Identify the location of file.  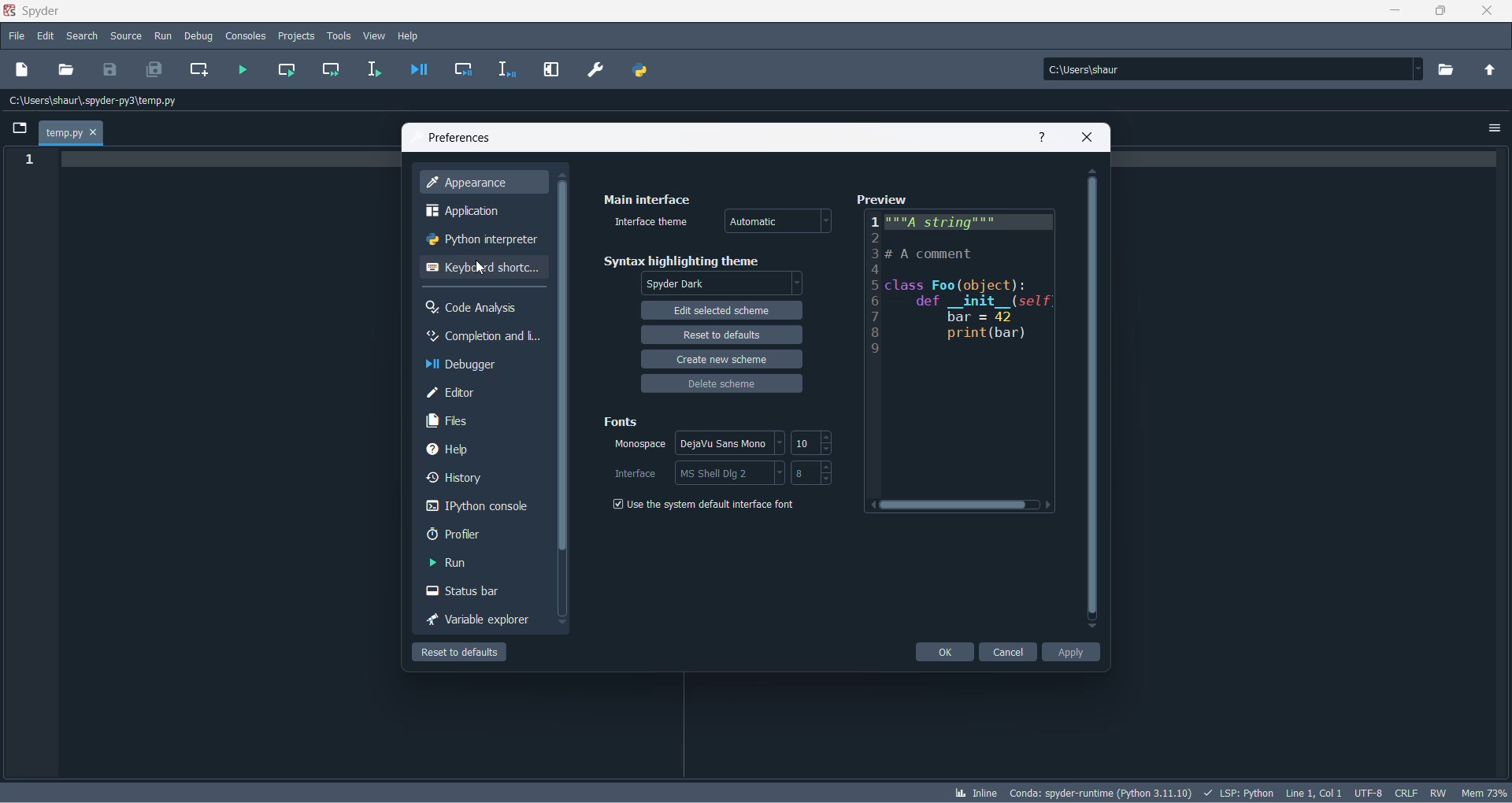
(18, 35).